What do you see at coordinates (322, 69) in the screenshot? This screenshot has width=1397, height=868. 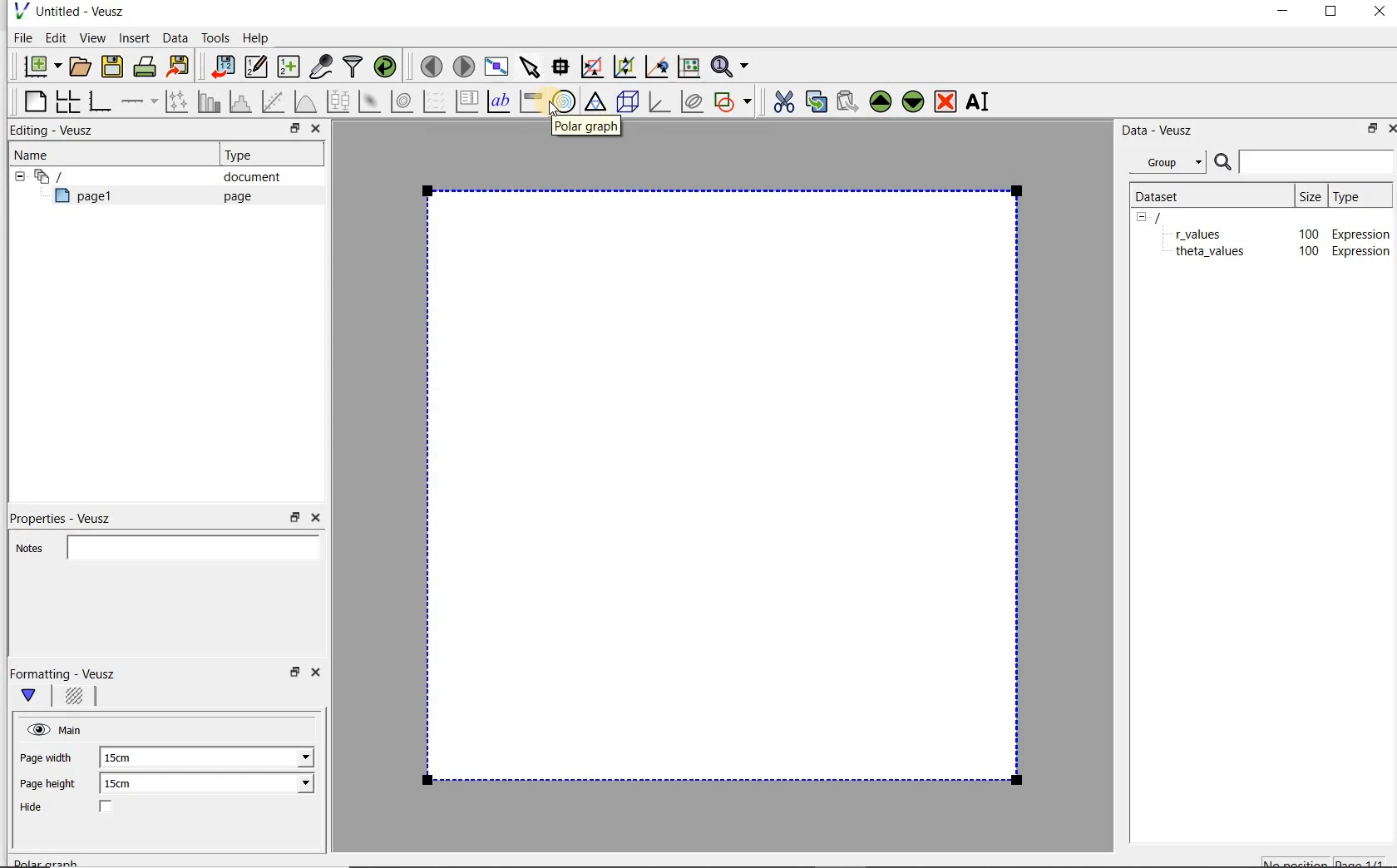 I see `capture remote data` at bounding box center [322, 69].